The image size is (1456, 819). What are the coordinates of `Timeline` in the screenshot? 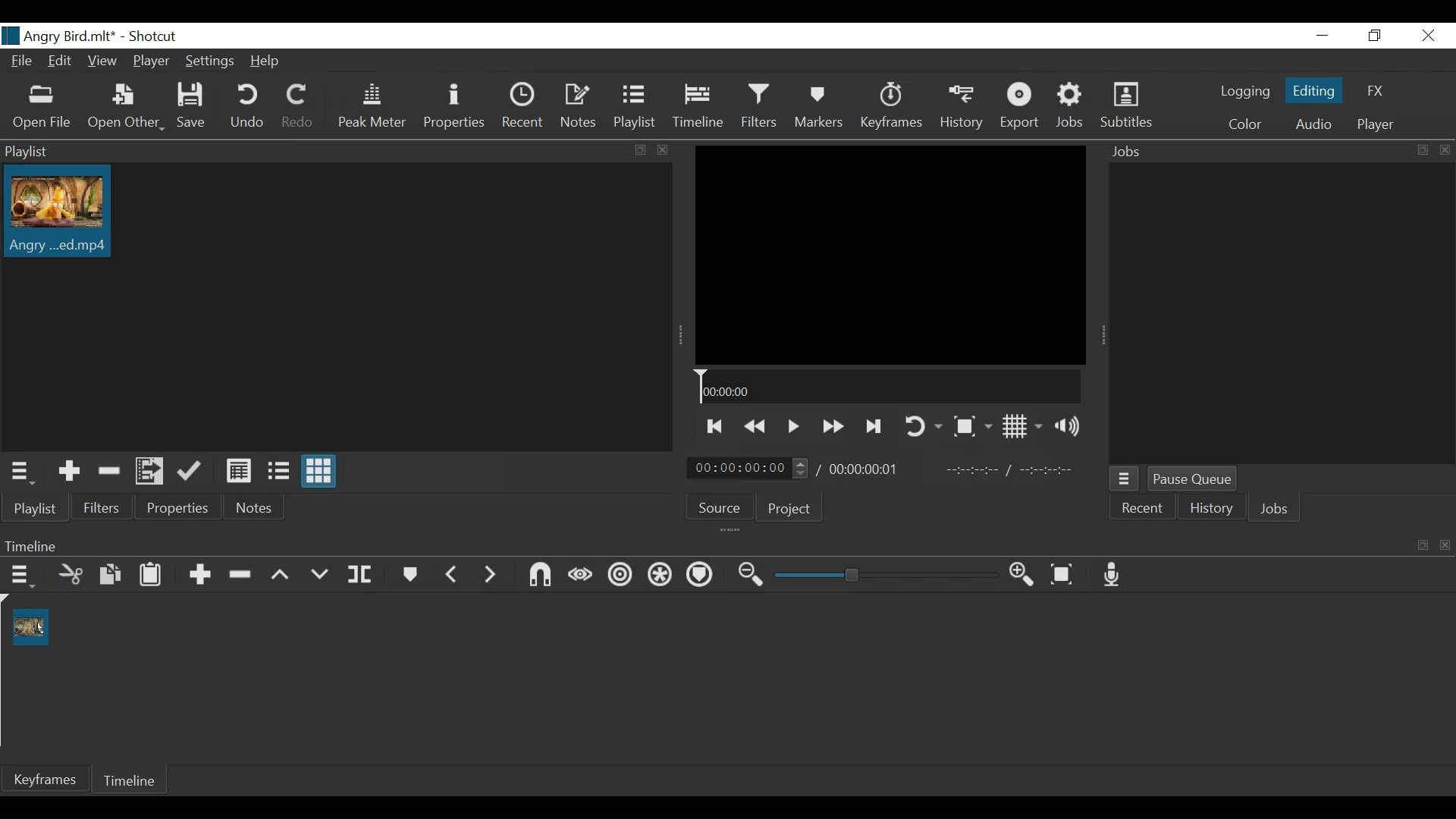 It's located at (698, 106).